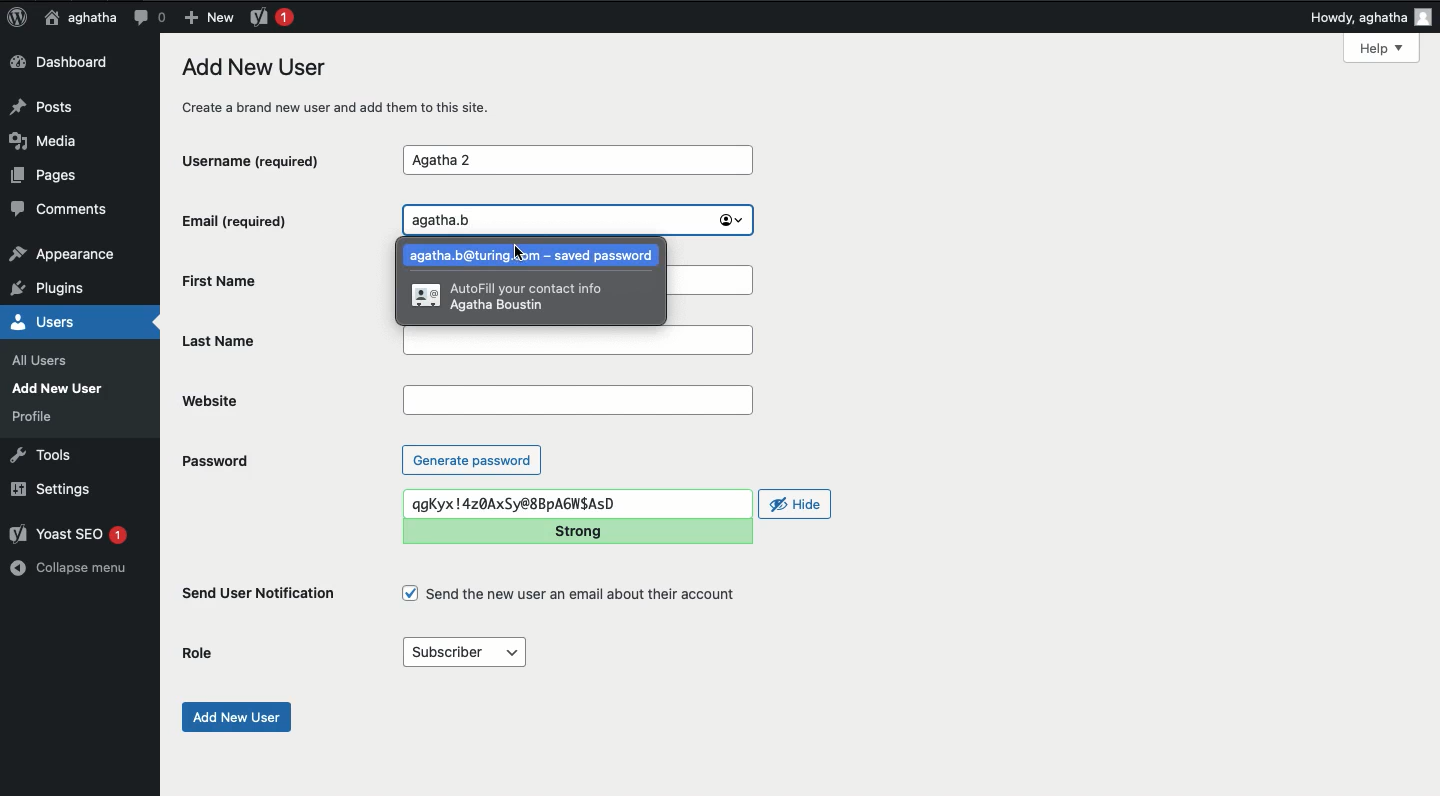  Describe the element at coordinates (578, 220) in the screenshot. I see `Agatha.b` at that location.